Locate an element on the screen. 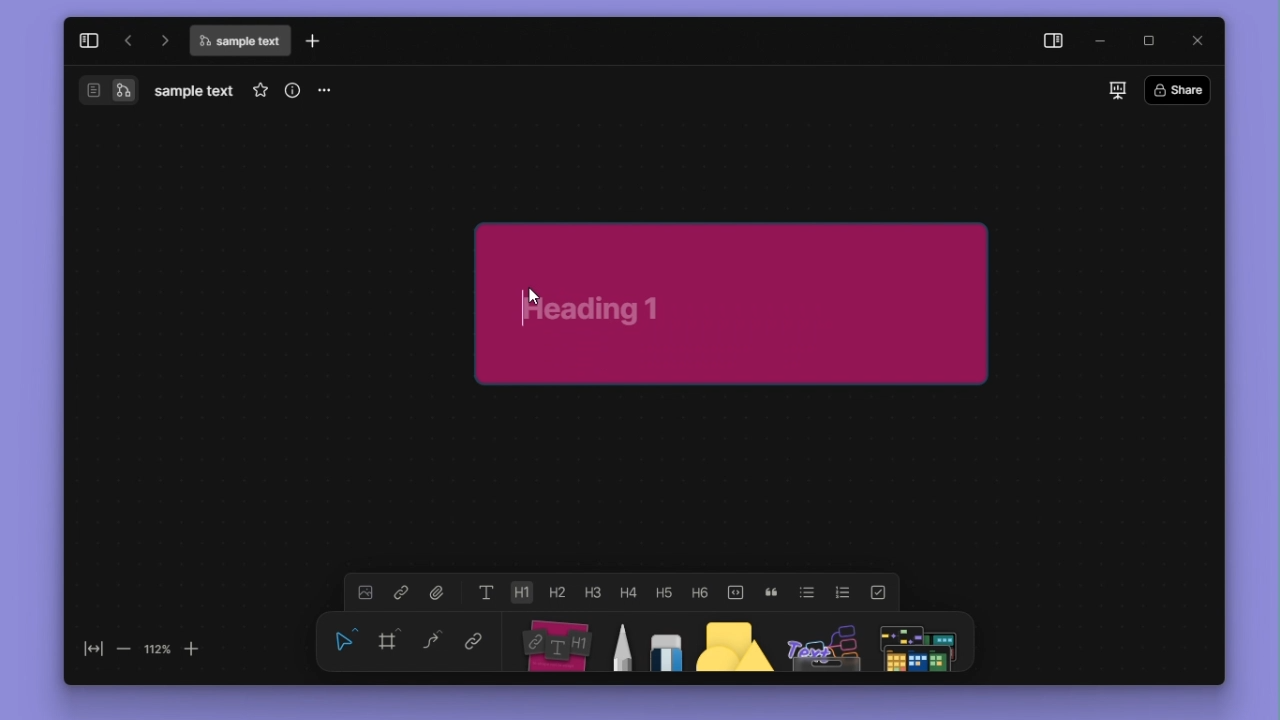 This screenshot has height=720, width=1280. zoom in is located at coordinates (191, 650).